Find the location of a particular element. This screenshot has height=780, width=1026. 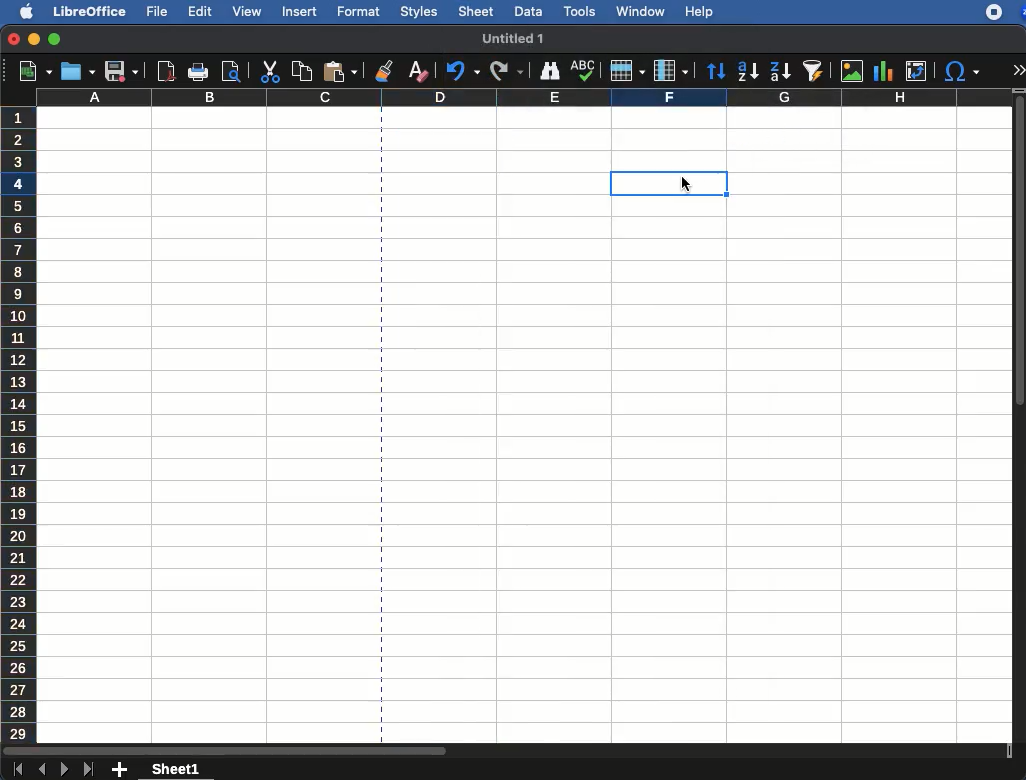

window is located at coordinates (639, 11).